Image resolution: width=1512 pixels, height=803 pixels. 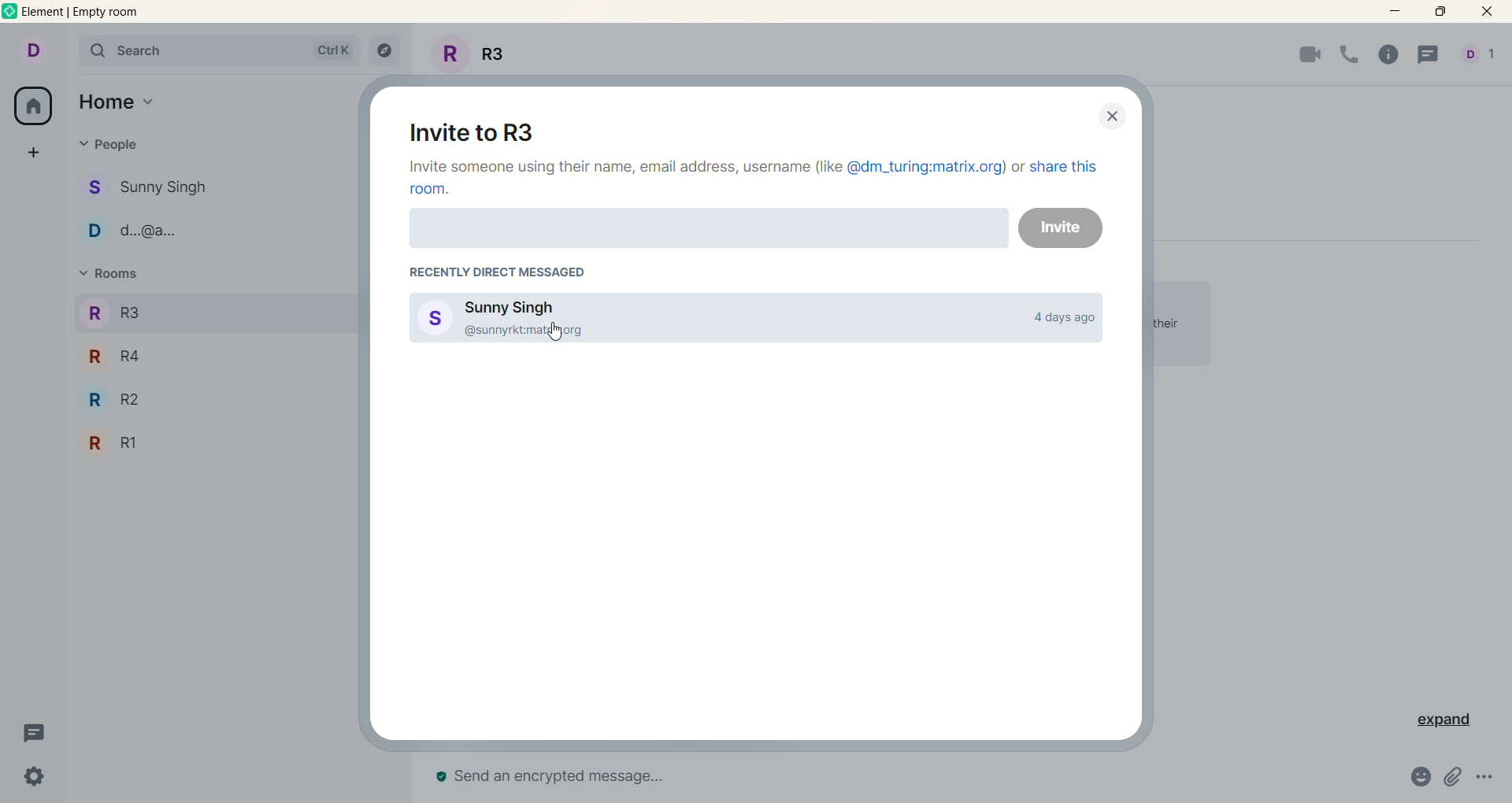 I want to click on R R4, so click(x=115, y=356).